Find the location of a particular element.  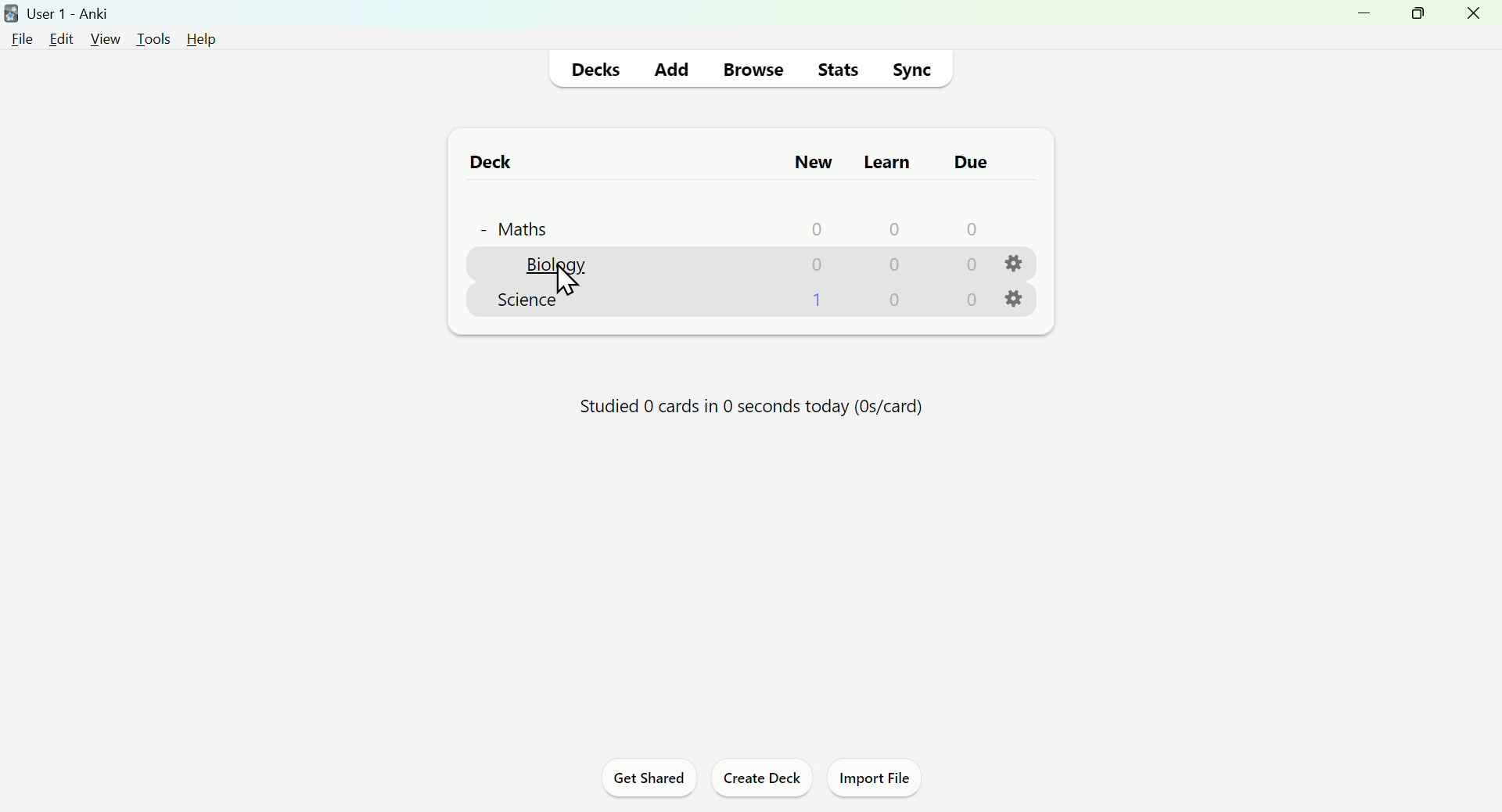

Import File is located at coordinates (873, 780).